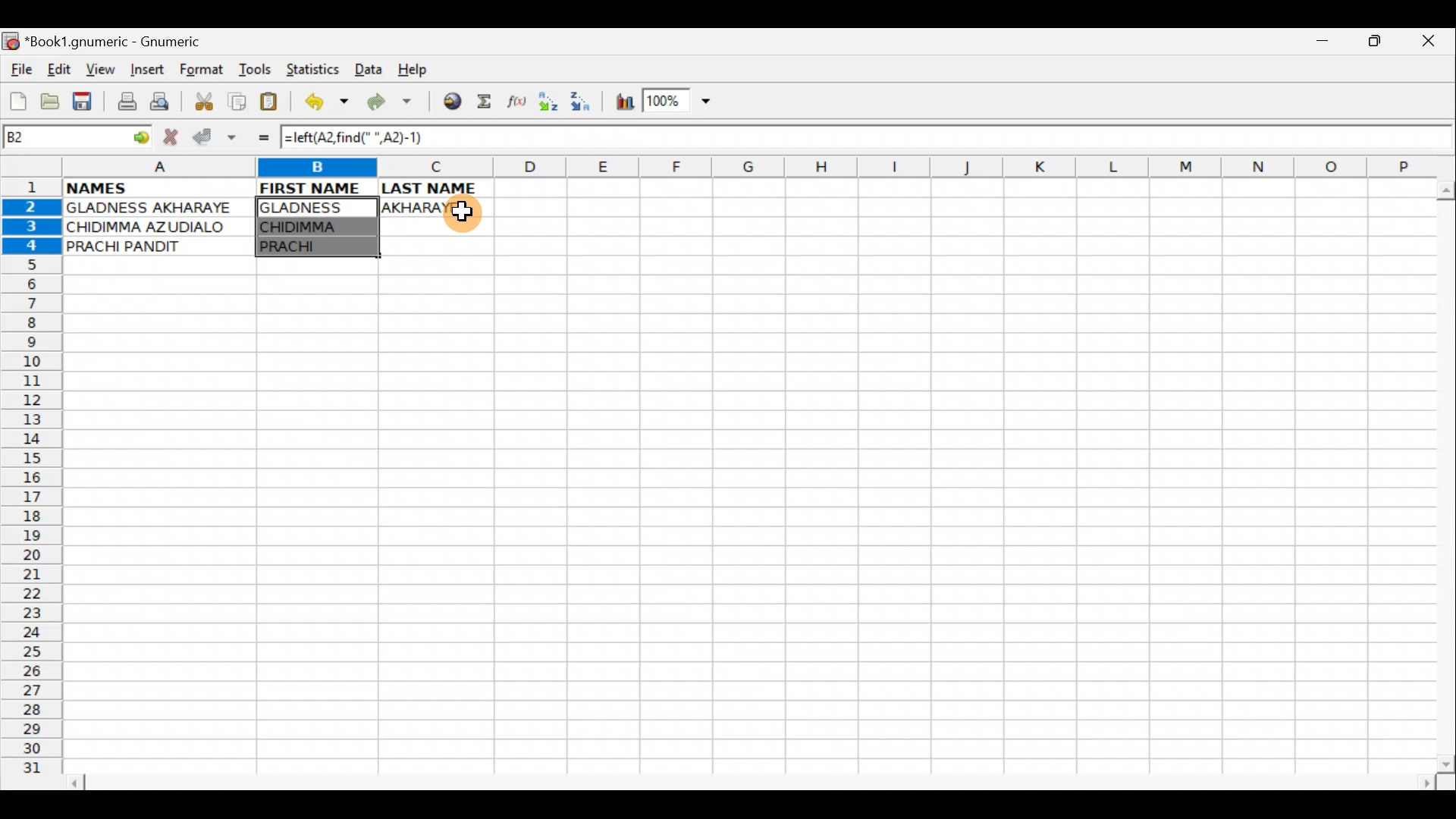  Describe the element at coordinates (32, 482) in the screenshot. I see `Rows` at that location.